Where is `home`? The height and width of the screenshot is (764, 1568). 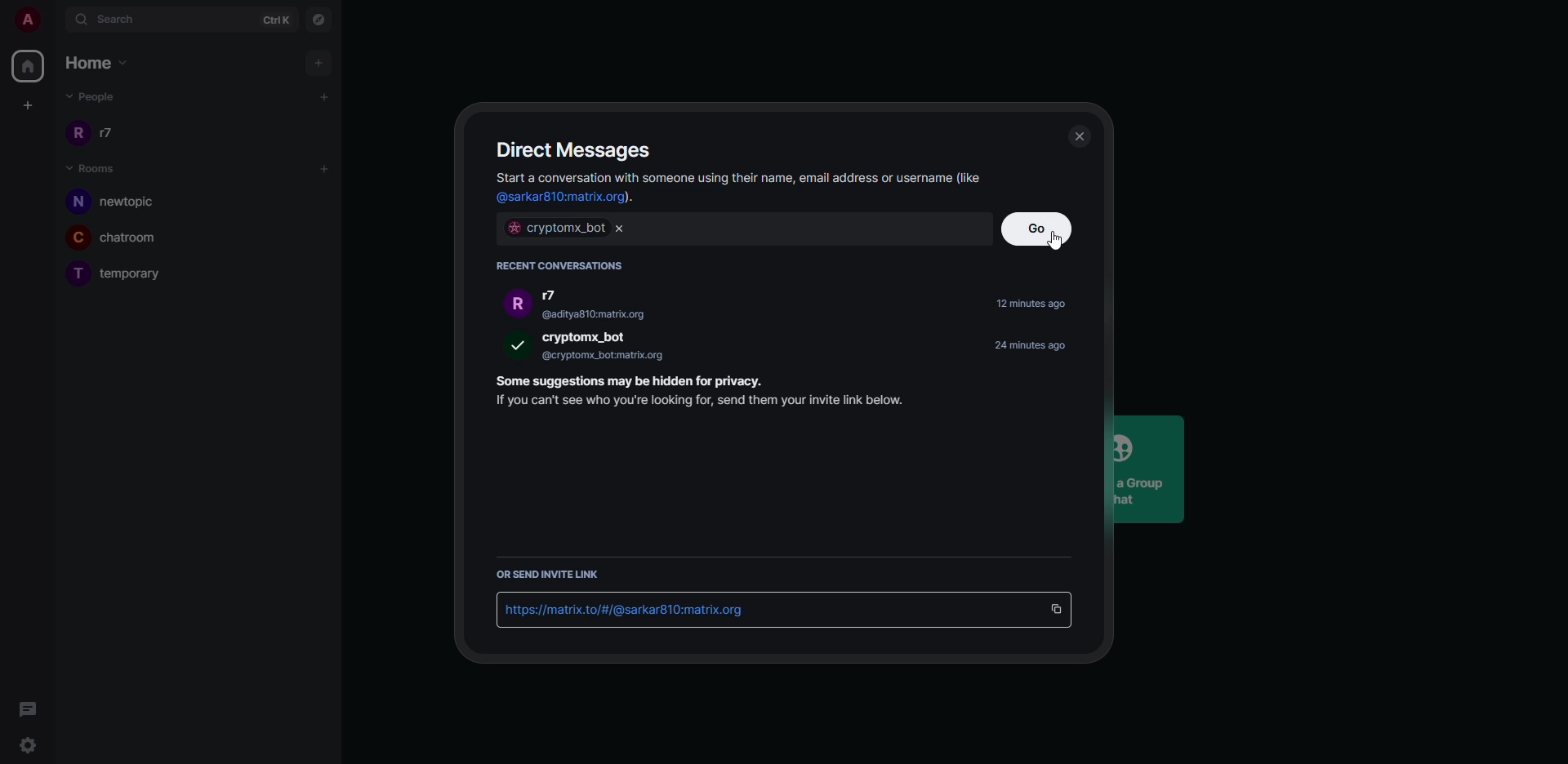 home is located at coordinates (100, 62).